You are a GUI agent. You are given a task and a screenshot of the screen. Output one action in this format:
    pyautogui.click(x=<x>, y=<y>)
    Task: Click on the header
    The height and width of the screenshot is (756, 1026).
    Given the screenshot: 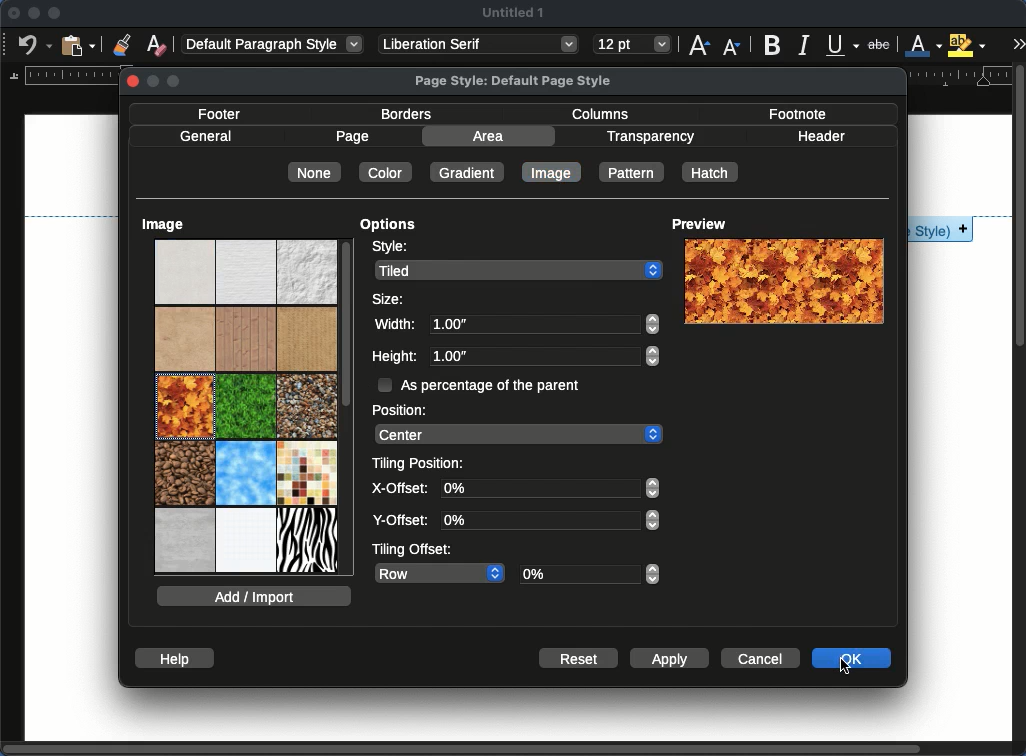 What is the action you would take?
    pyautogui.click(x=821, y=136)
    